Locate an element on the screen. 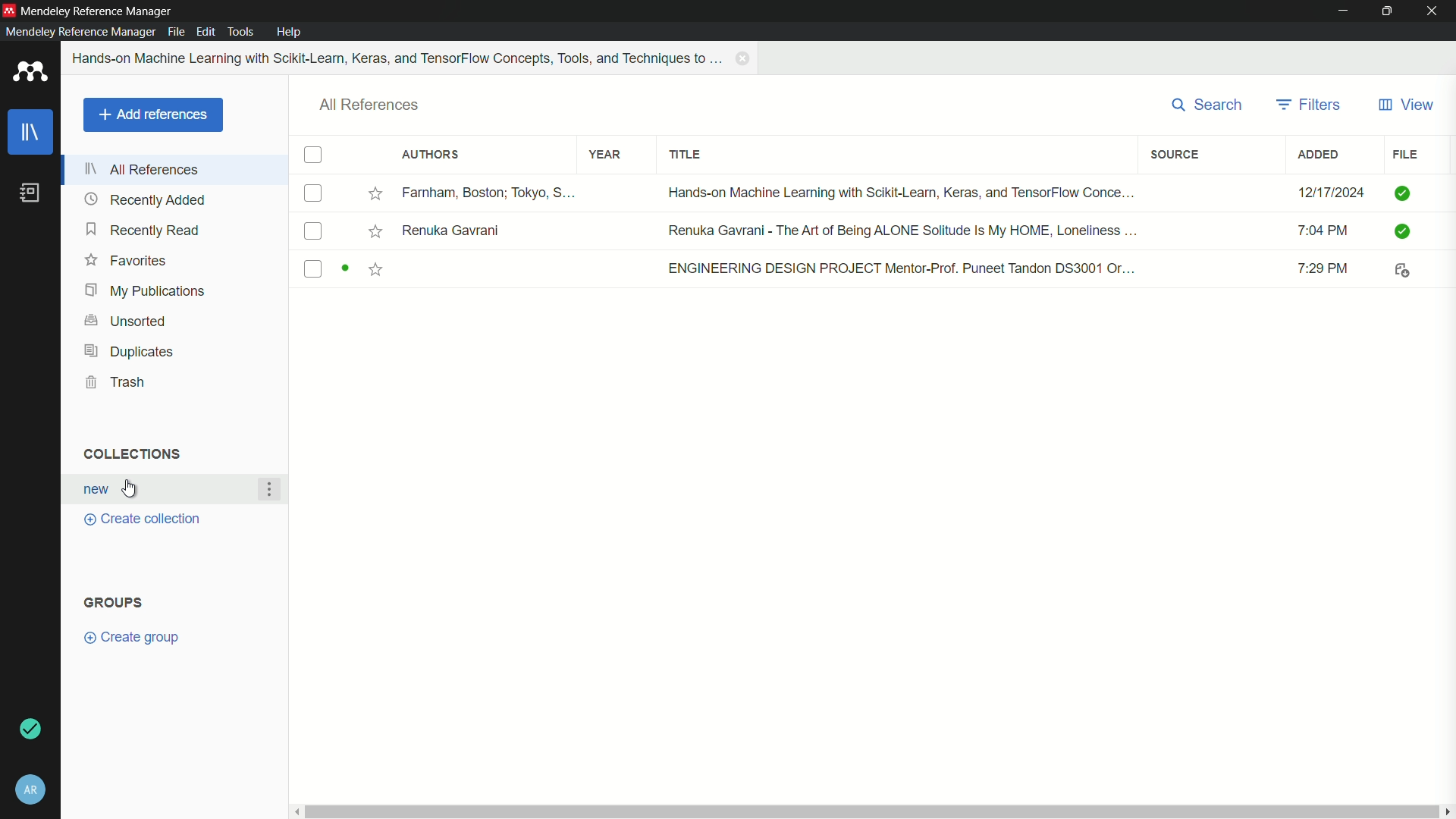 The image size is (1456, 819). my publications is located at coordinates (143, 291).